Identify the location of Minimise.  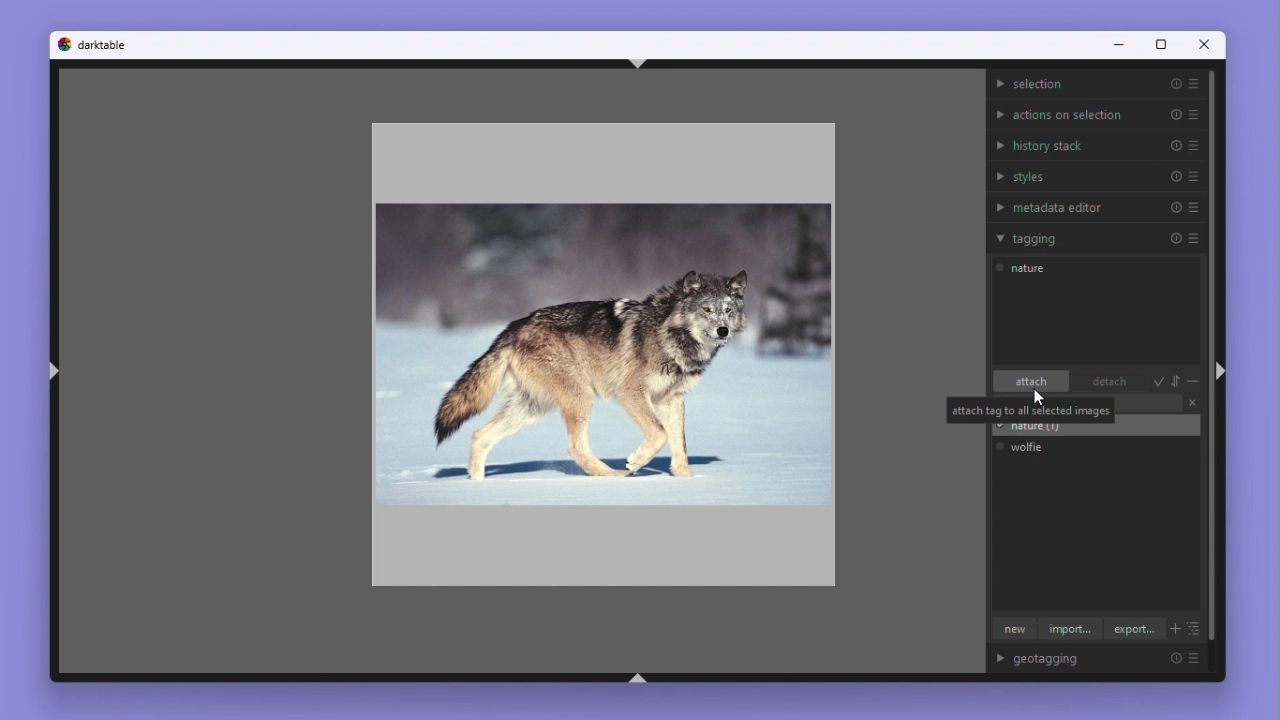
(1116, 46).